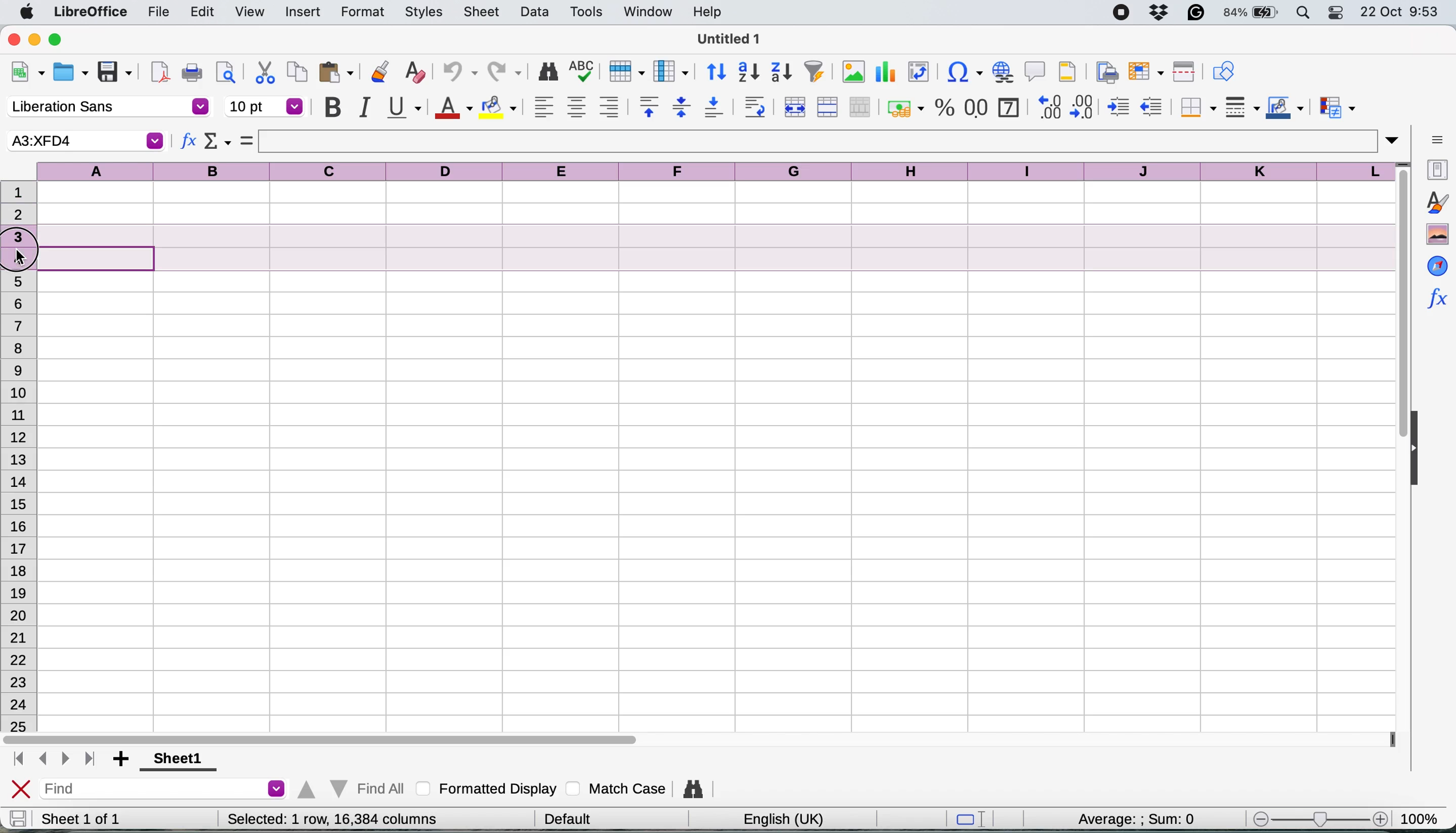  What do you see at coordinates (192, 73) in the screenshot?
I see `print` at bounding box center [192, 73].